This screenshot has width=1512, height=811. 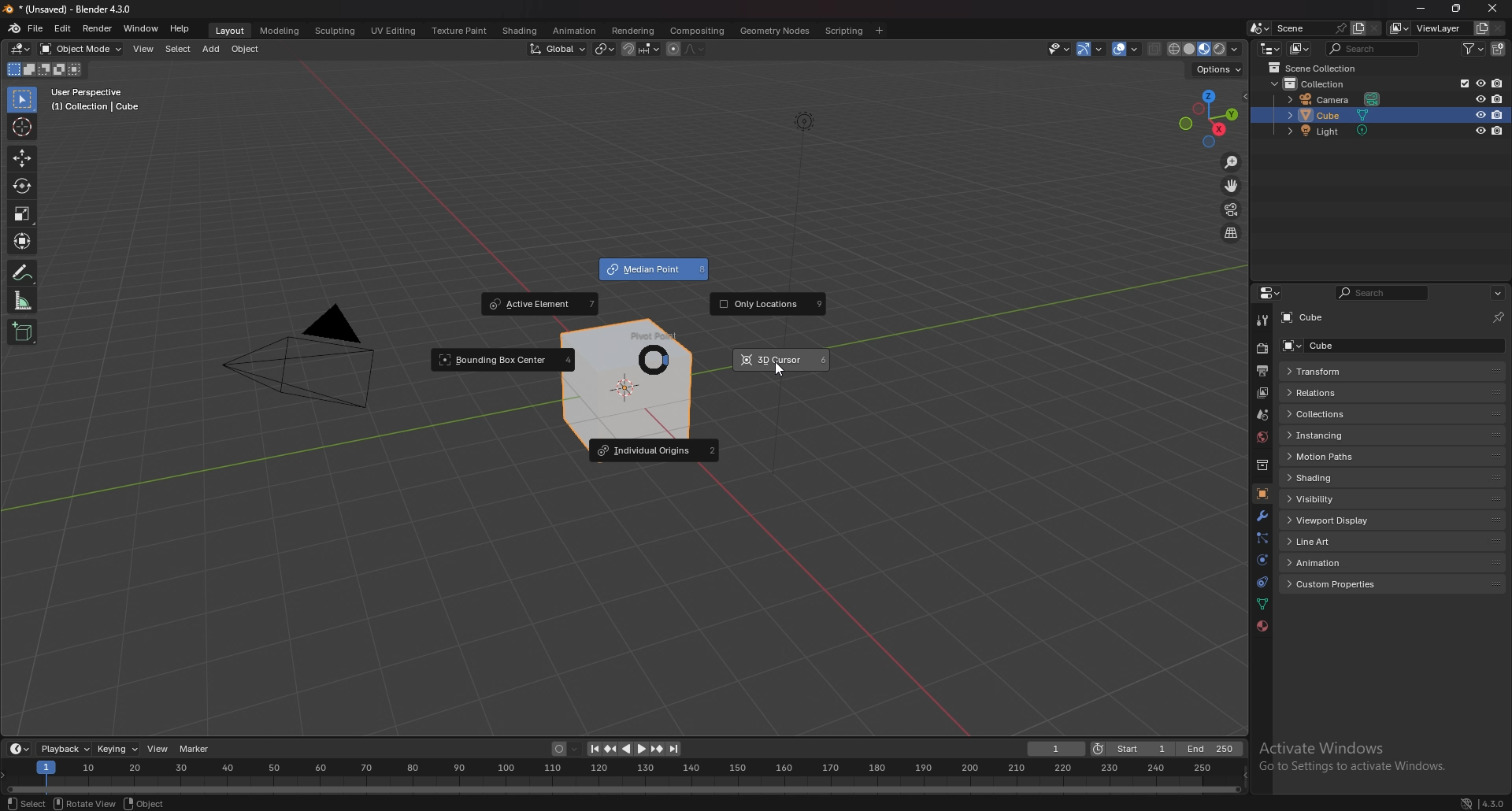 I want to click on hide in viewport, so click(x=1478, y=131).